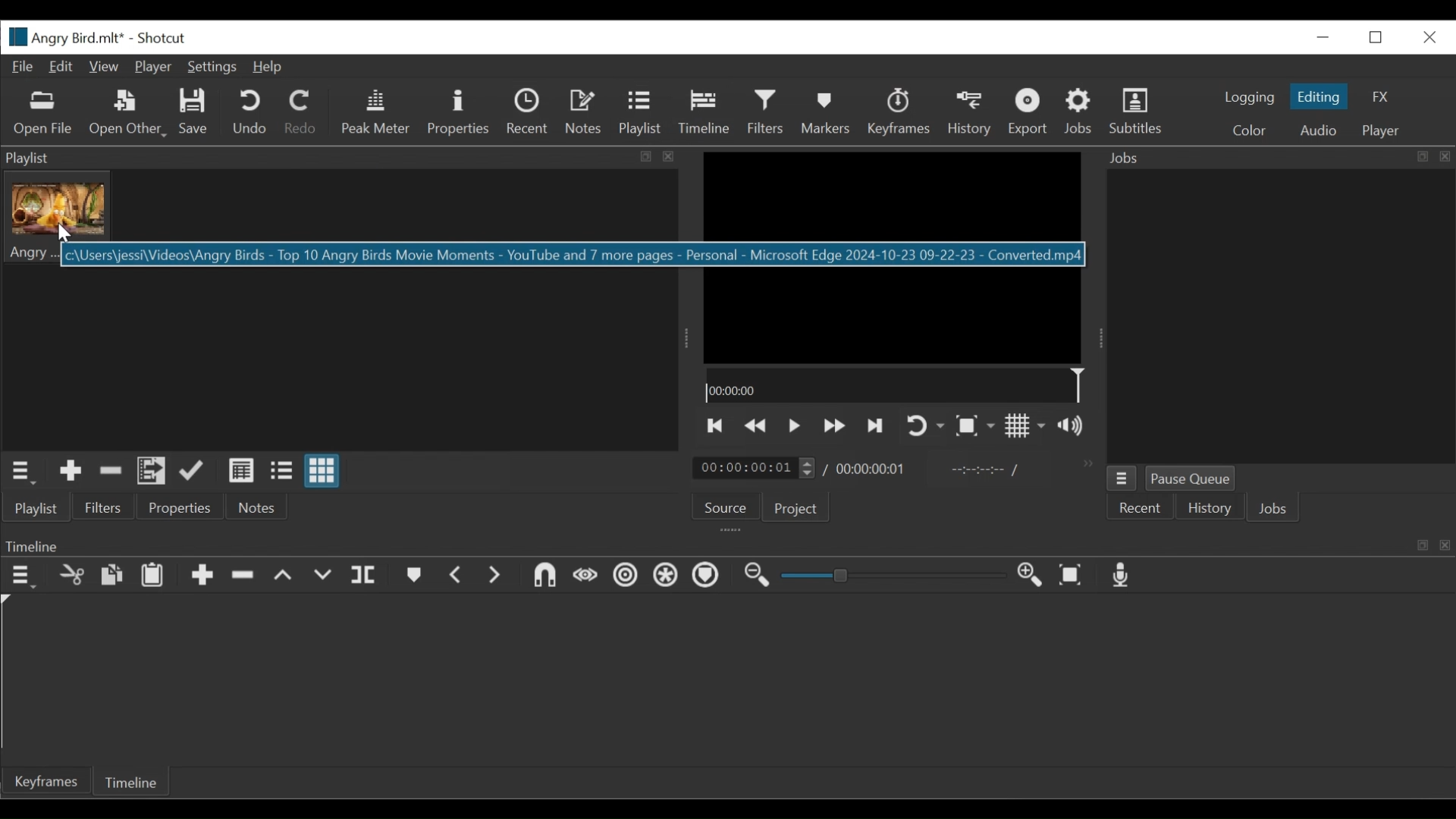 This screenshot has height=819, width=1456. Describe the element at coordinates (374, 112) in the screenshot. I see `Peak Meter` at that location.